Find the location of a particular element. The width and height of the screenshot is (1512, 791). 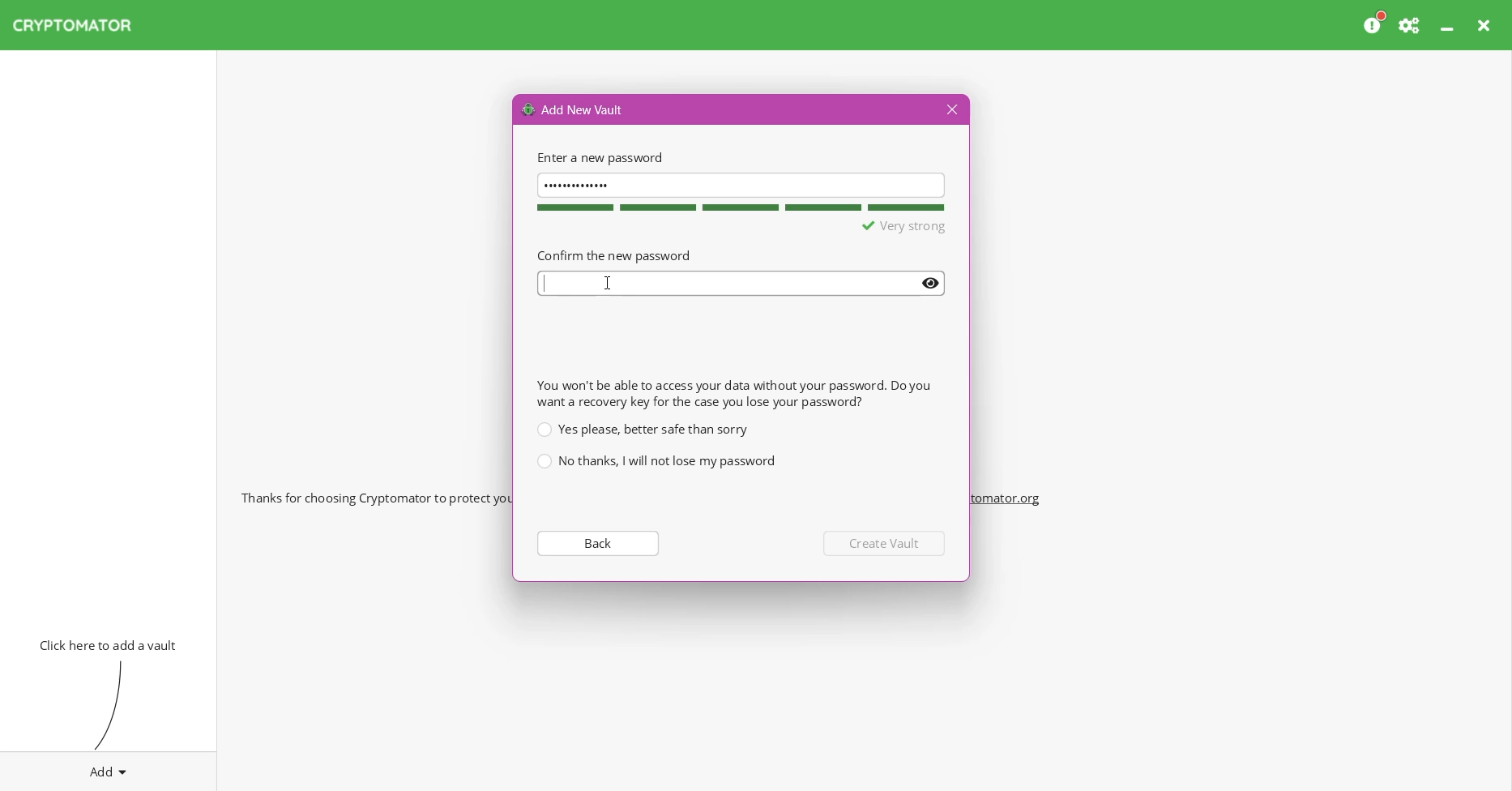

Confirm the new password is located at coordinates (613, 254).